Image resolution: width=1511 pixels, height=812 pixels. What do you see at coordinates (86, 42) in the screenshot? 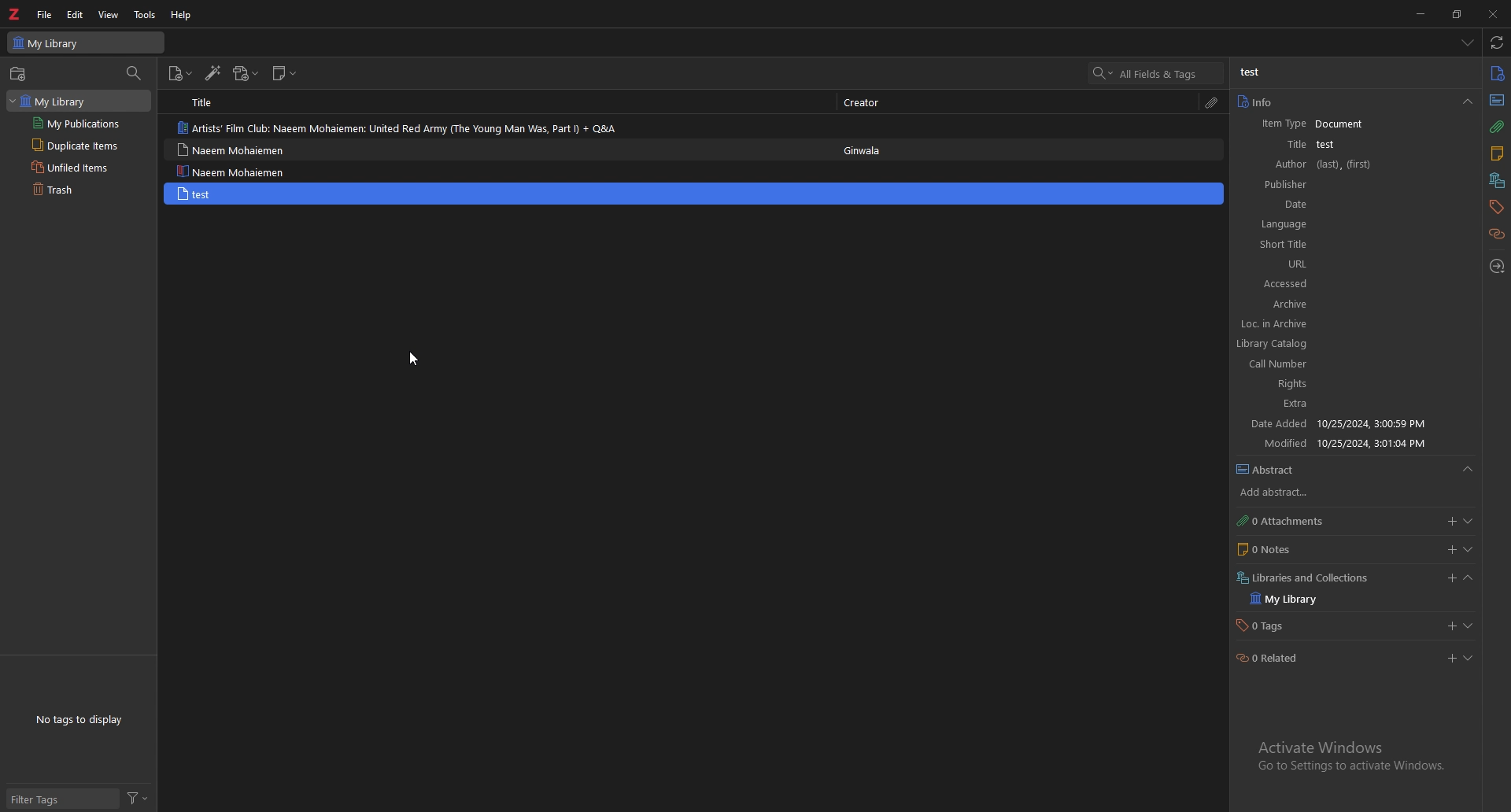
I see `my library` at bounding box center [86, 42].